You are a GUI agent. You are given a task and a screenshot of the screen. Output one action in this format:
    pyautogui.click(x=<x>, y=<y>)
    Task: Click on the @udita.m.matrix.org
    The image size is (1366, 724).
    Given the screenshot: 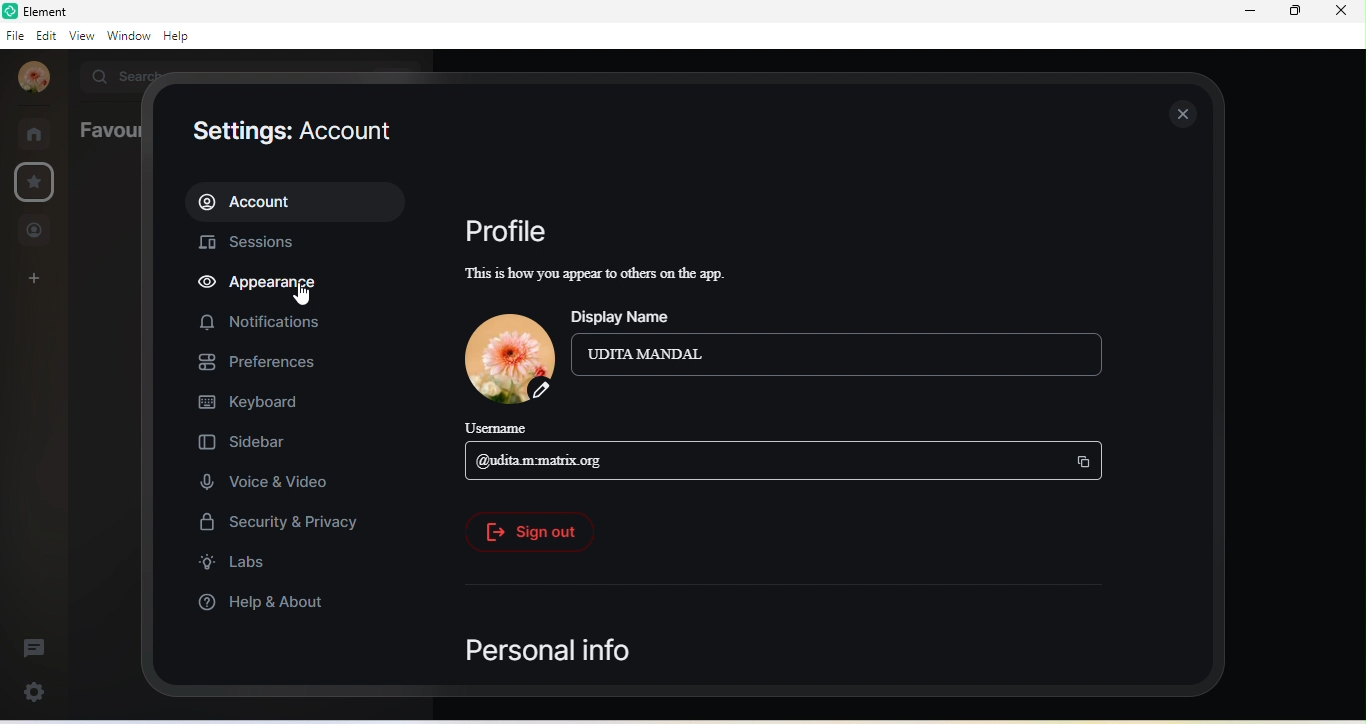 What is the action you would take?
    pyautogui.click(x=793, y=461)
    